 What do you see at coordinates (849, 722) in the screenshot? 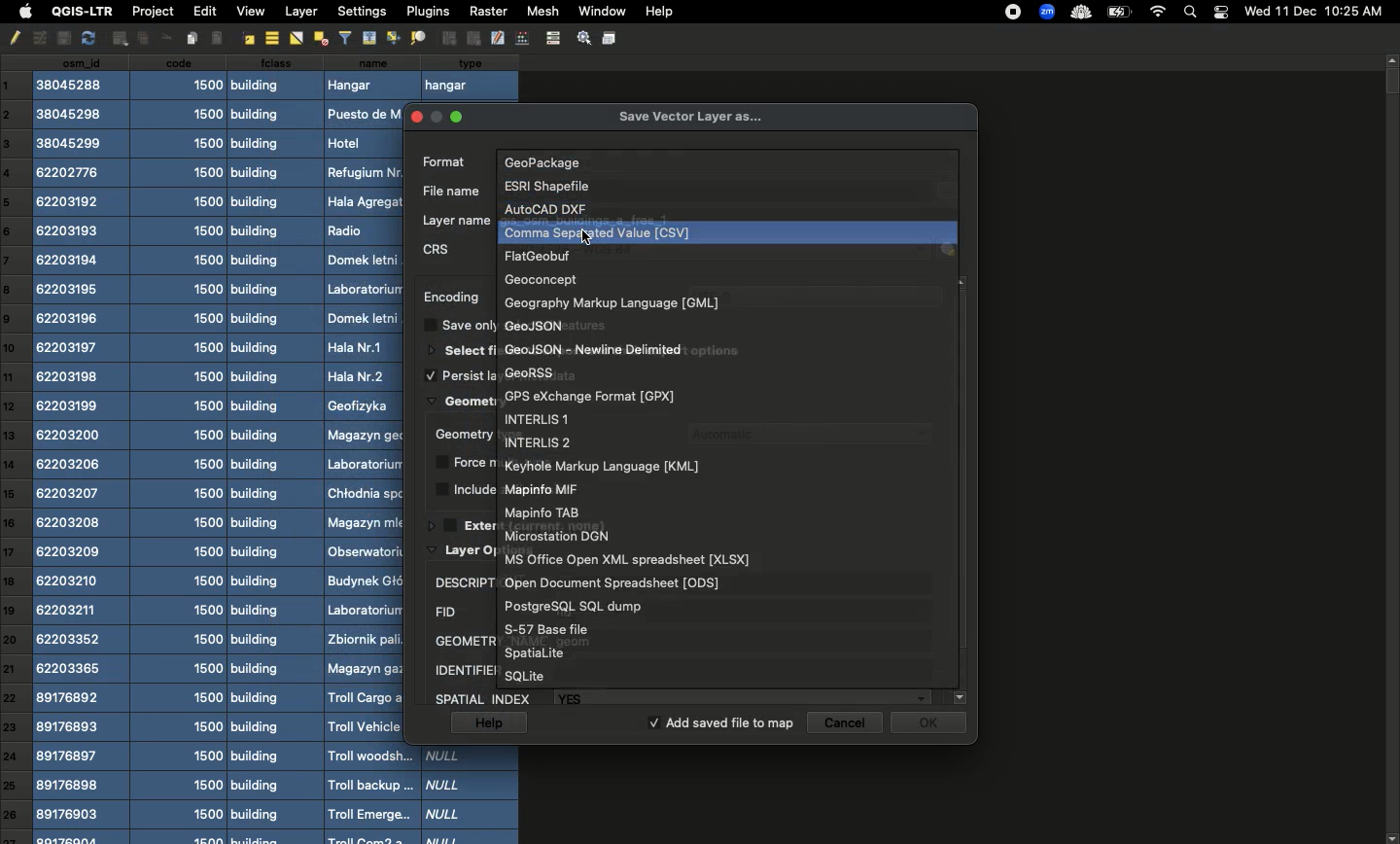
I see `Cancel` at bounding box center [849, 722].